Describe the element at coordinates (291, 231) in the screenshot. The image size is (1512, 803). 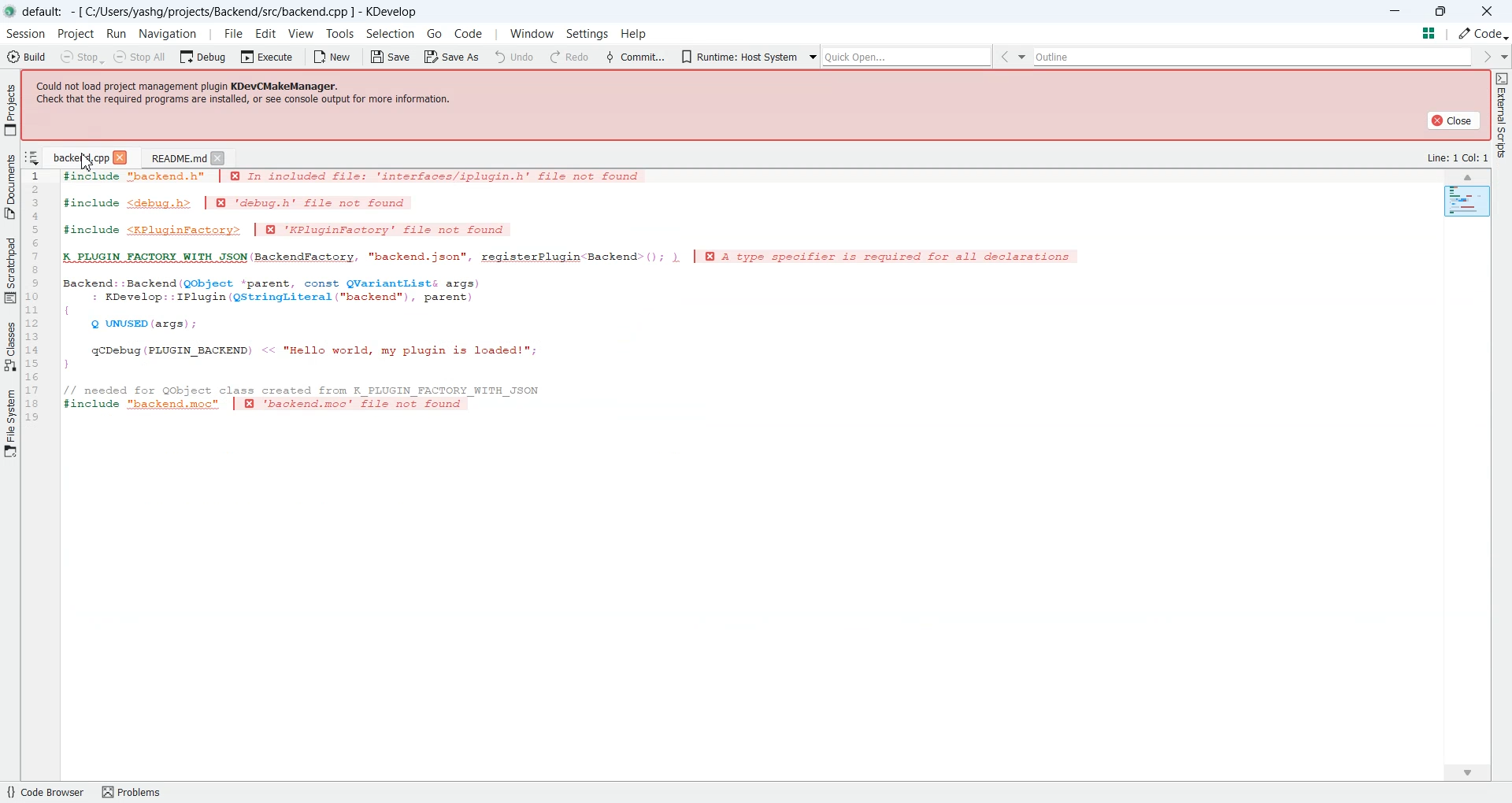
I see `#include <KPluginFactory> | B 'KPluginFactory' file not found` at that location.